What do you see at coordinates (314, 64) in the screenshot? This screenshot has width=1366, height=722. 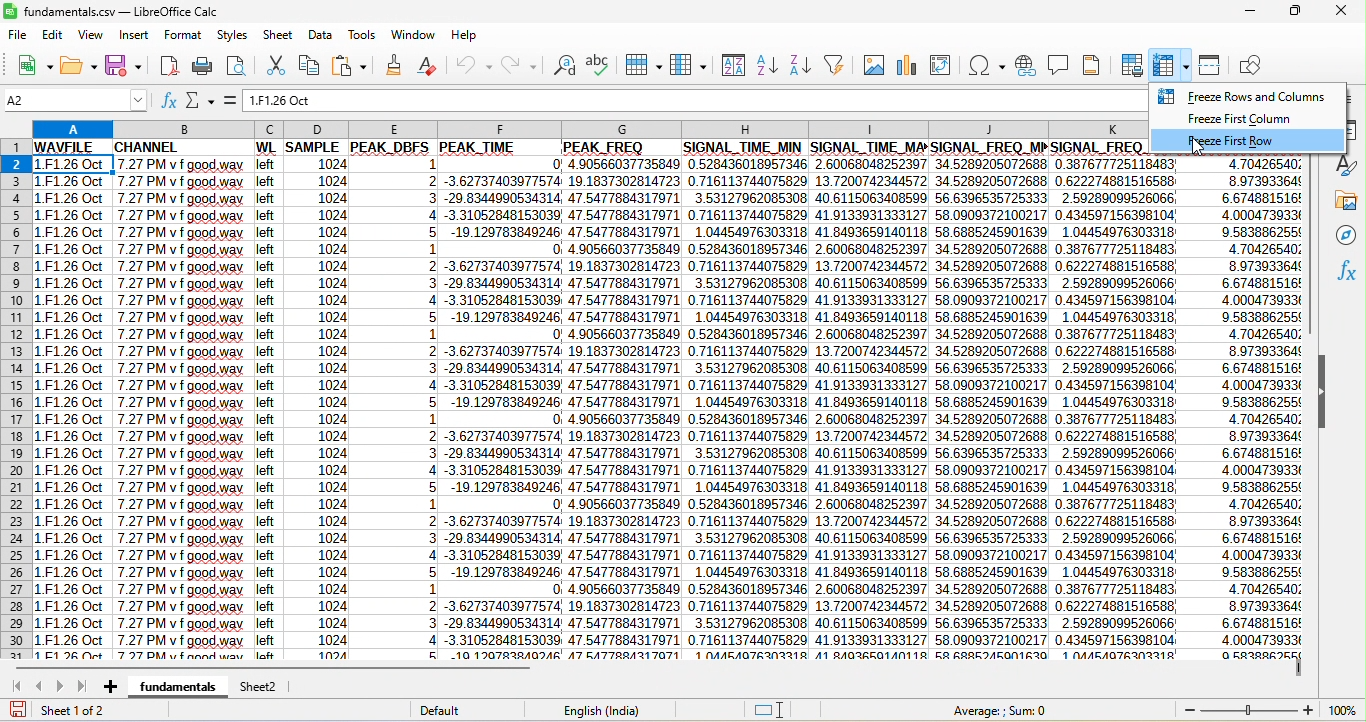 I see `copy` at bounding box center [314, 64].